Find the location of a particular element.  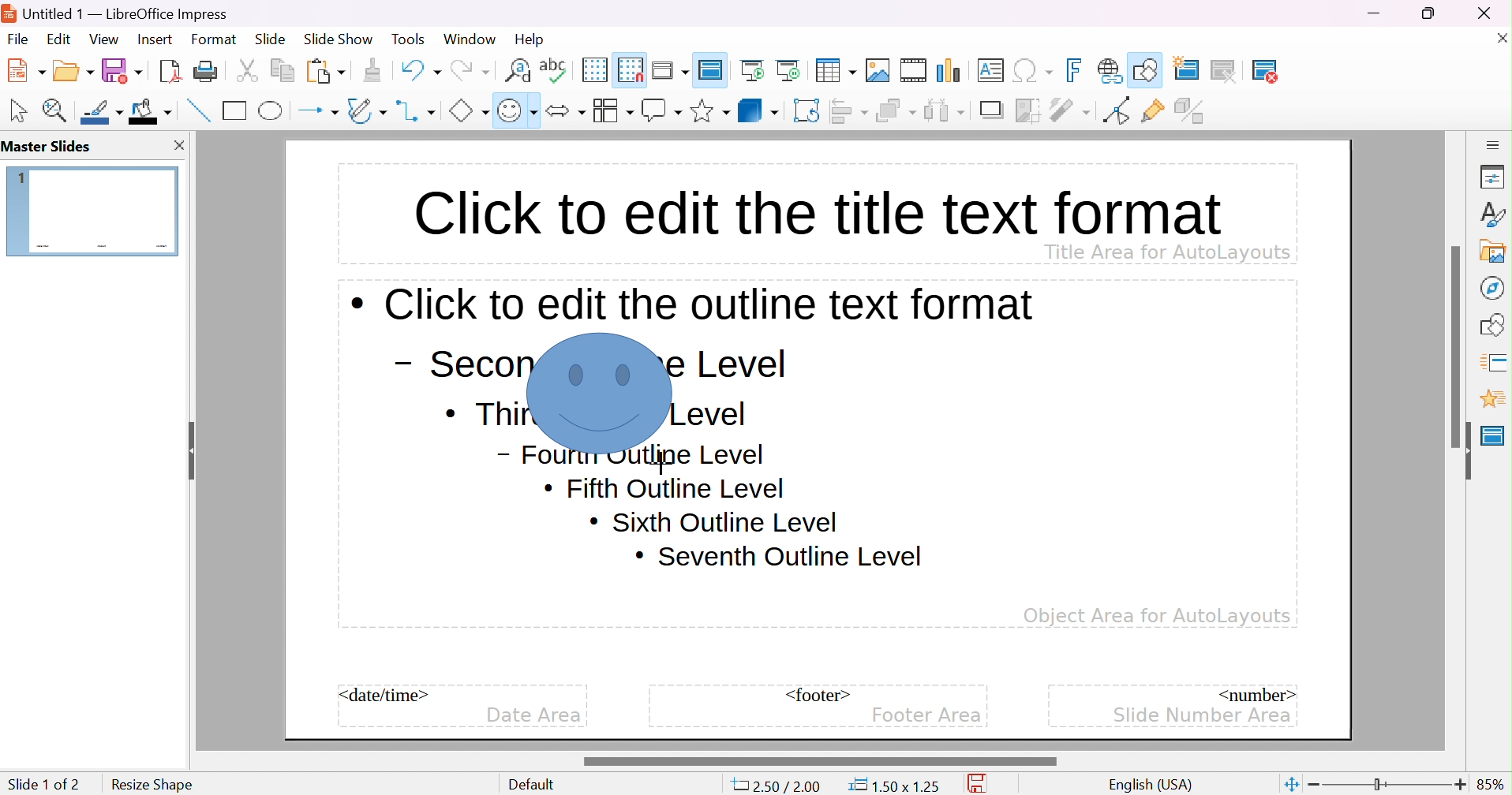

slide is located at coordinates (93, 210).